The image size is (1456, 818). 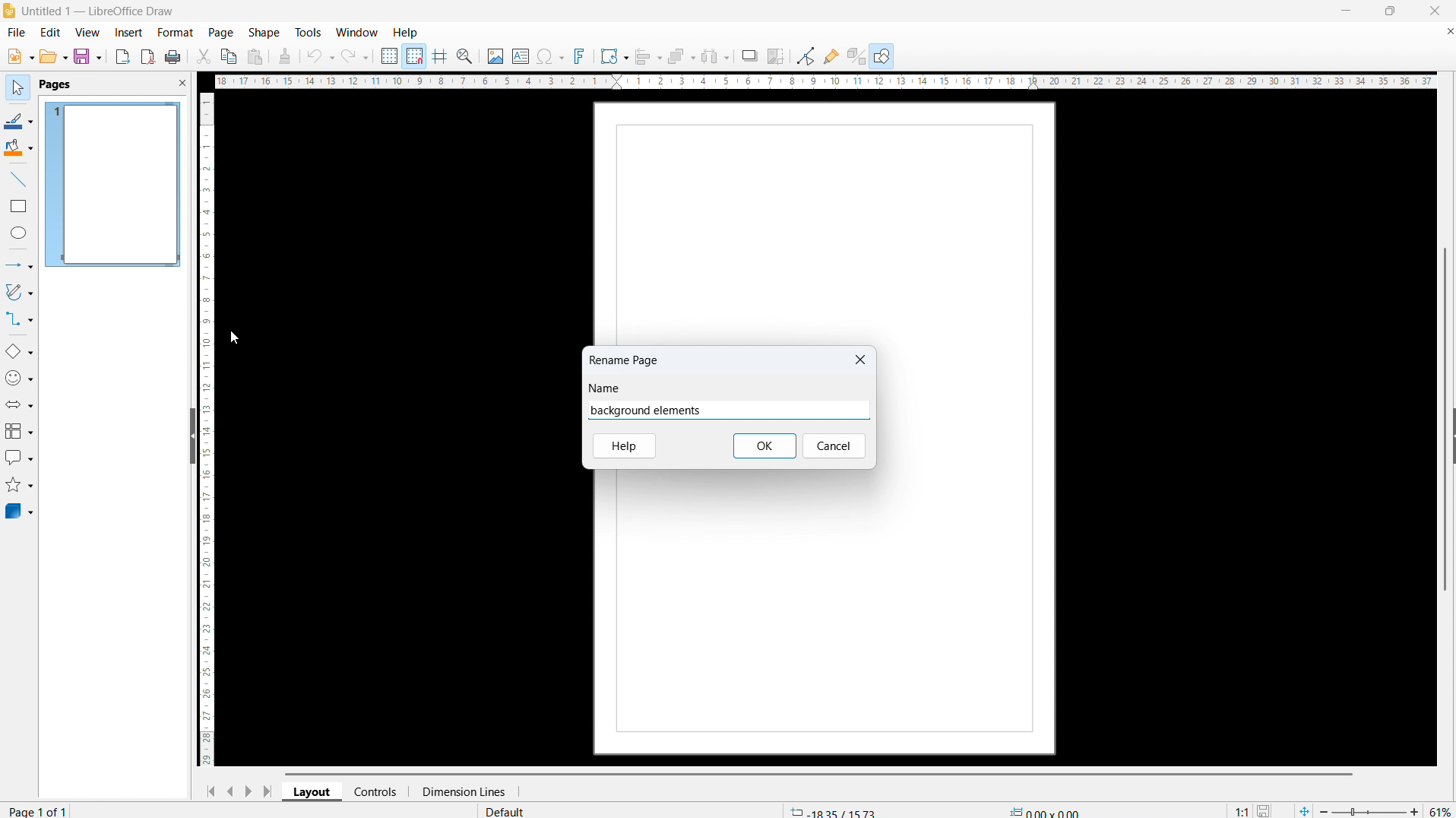 I want to click on page 1, so click(x=115, y=185).